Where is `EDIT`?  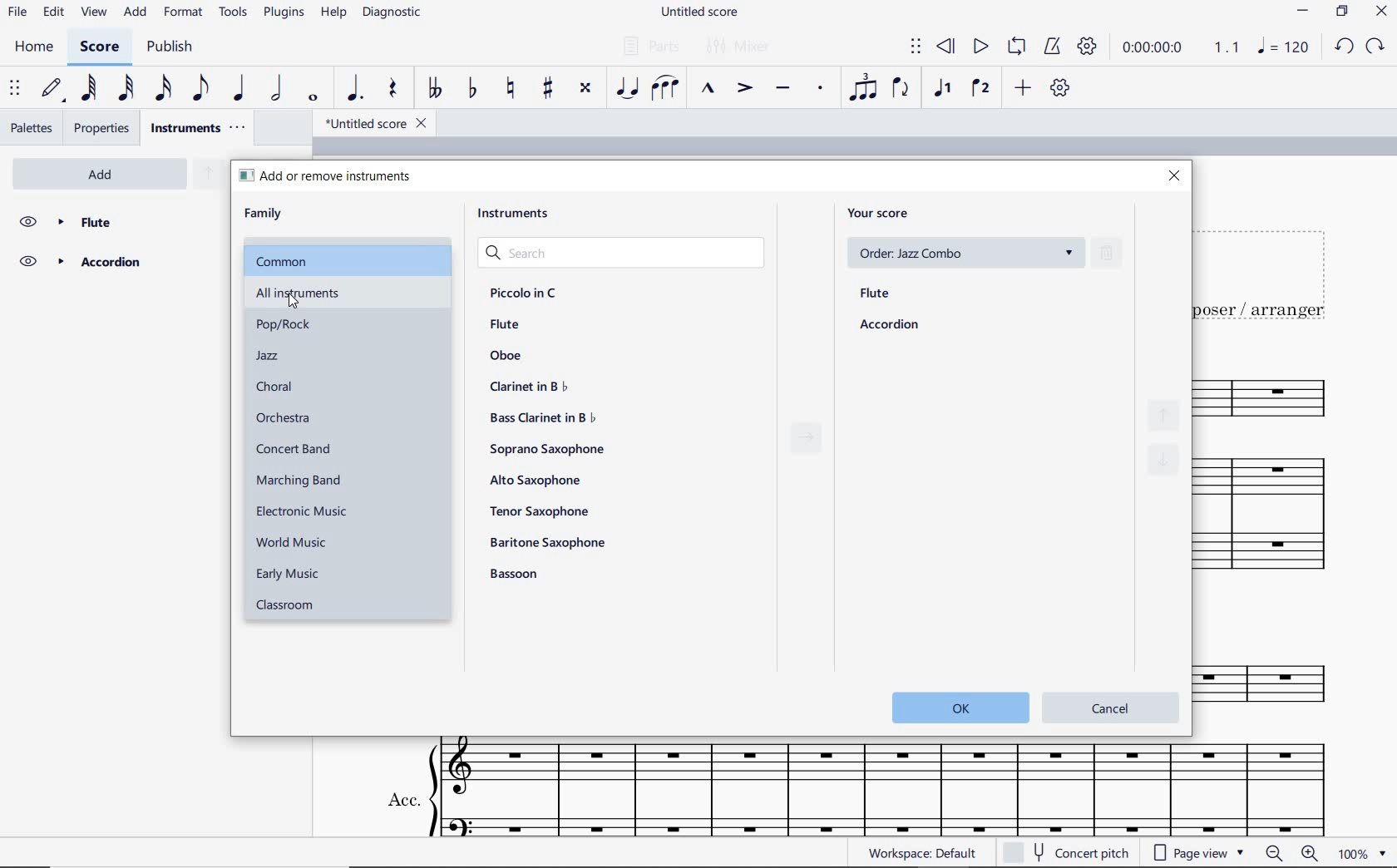 EDIT is located at coordinates (52, 12).